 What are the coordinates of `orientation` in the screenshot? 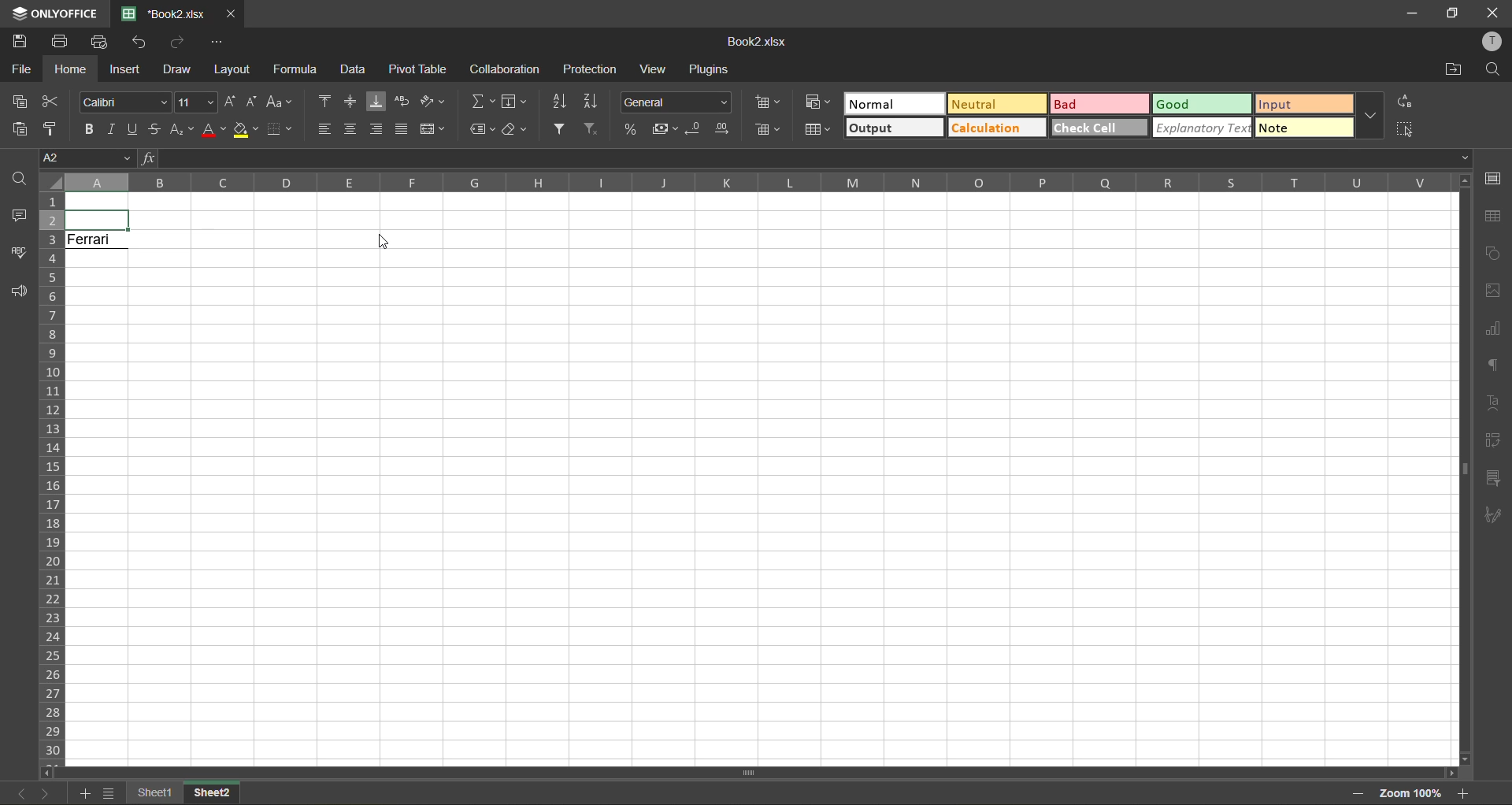 It's located at (436, 102).